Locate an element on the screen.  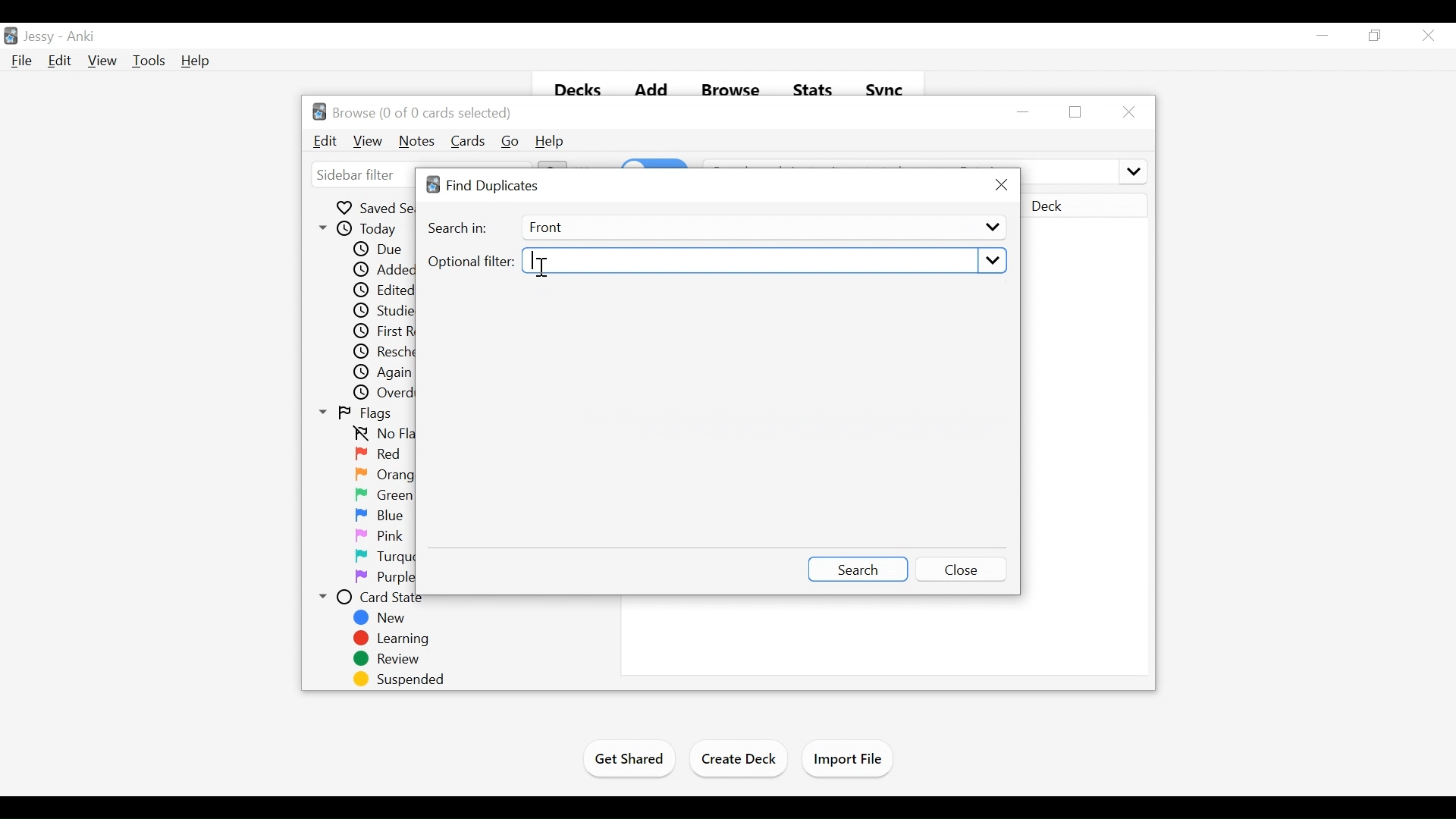
Close is located at coordinates (1127, 111).